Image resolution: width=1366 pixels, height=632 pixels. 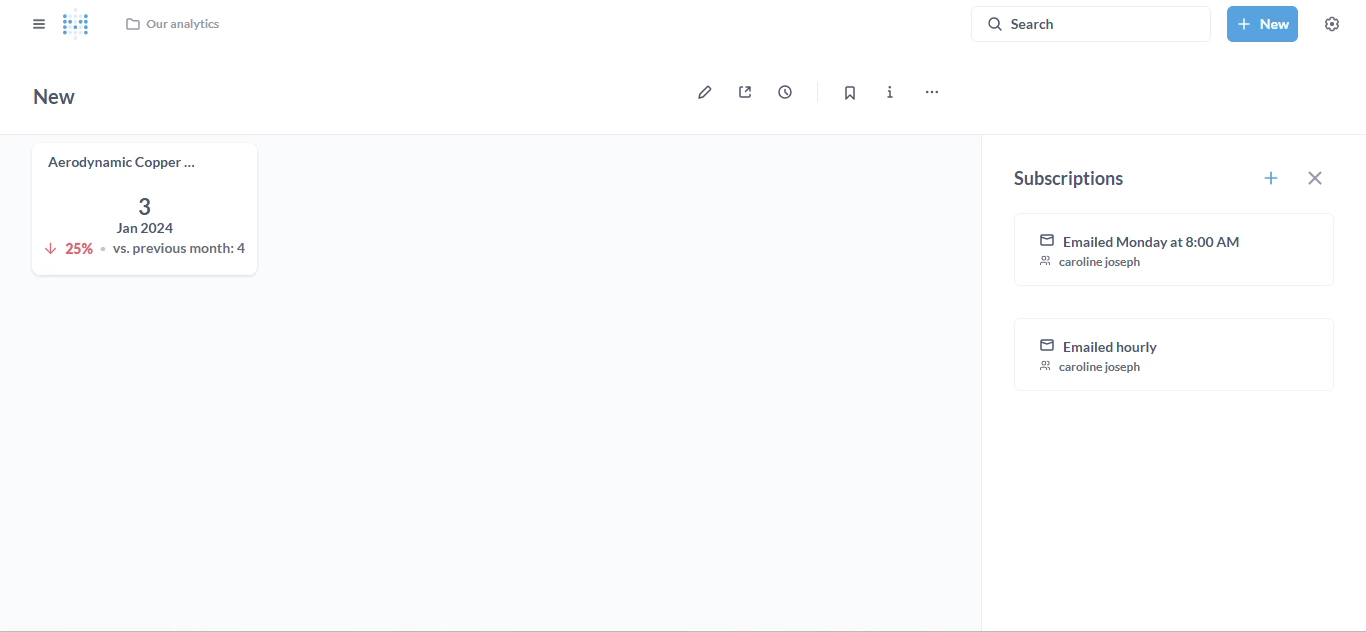 What do you see at coordinates (1182, 355) in the screenshot?
I see `email notifications enabled for user` at bounding box center [1182, 355].